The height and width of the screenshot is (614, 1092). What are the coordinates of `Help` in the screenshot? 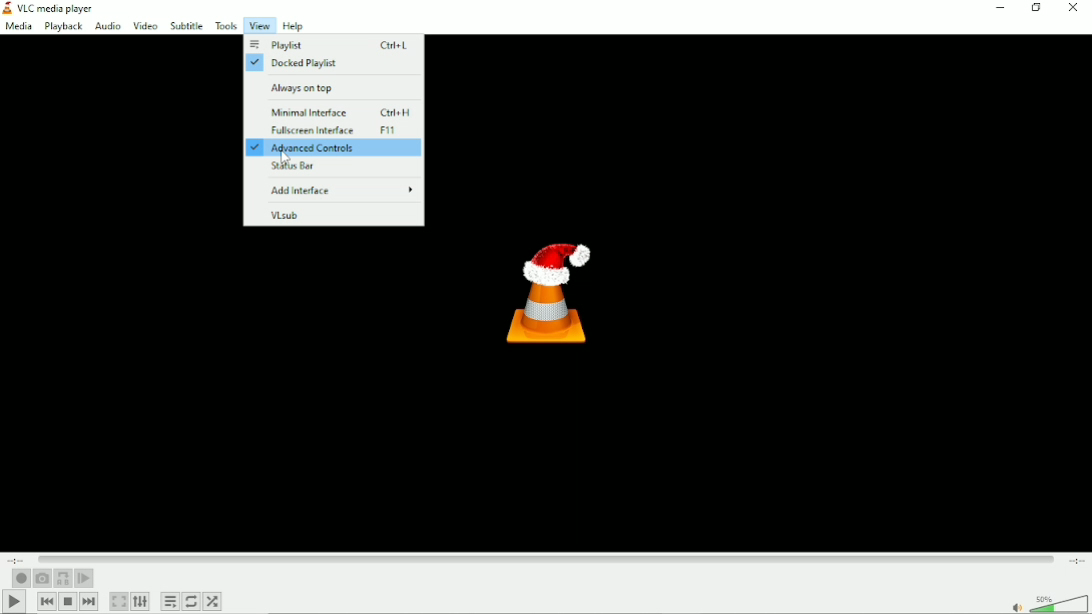 It's located at (300, 25).